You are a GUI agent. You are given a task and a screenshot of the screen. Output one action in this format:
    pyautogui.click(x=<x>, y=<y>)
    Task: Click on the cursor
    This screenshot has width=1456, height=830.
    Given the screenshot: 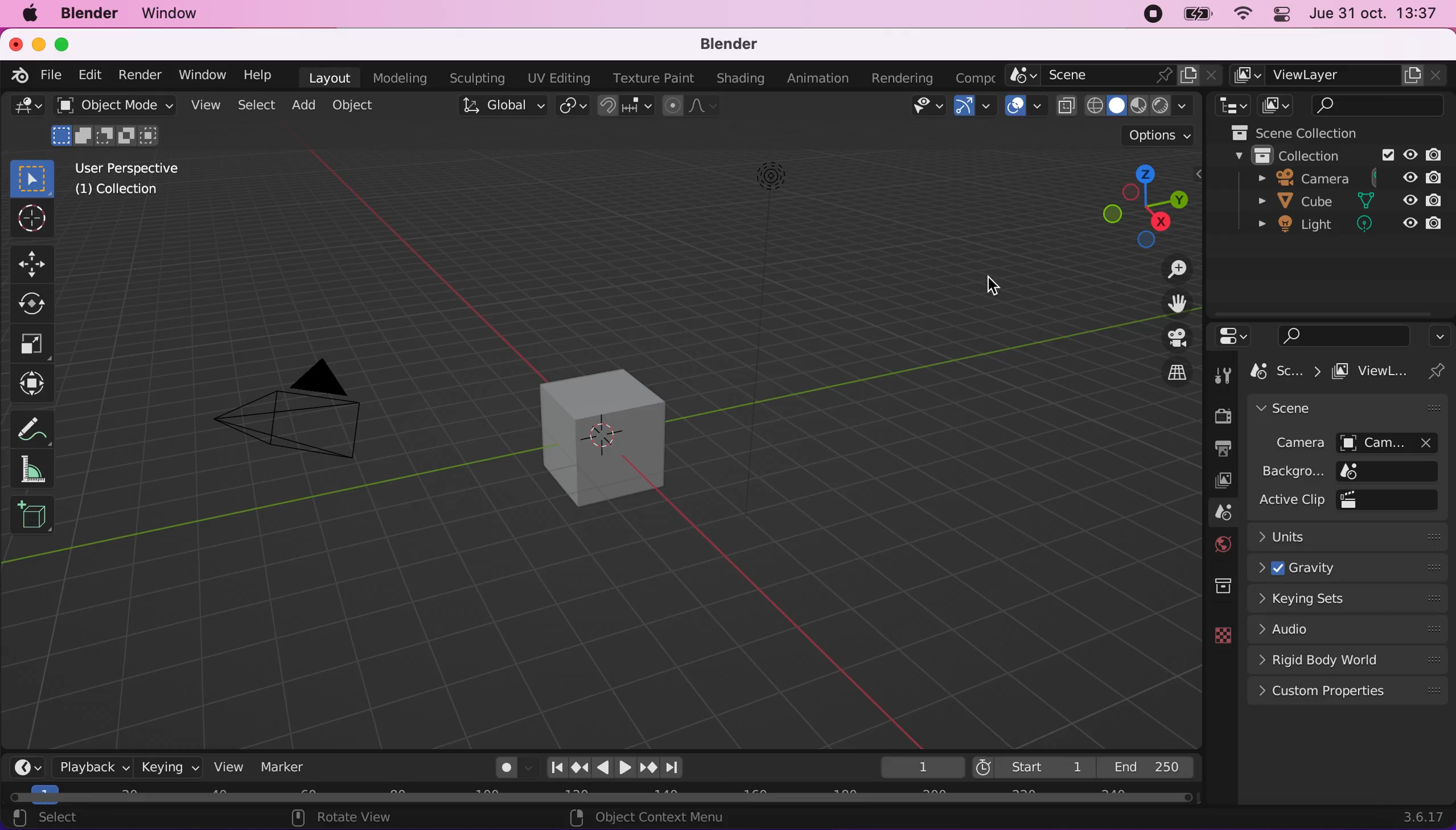 What is the action you would take?
    pyautogui.click(x=31, y=219)
    